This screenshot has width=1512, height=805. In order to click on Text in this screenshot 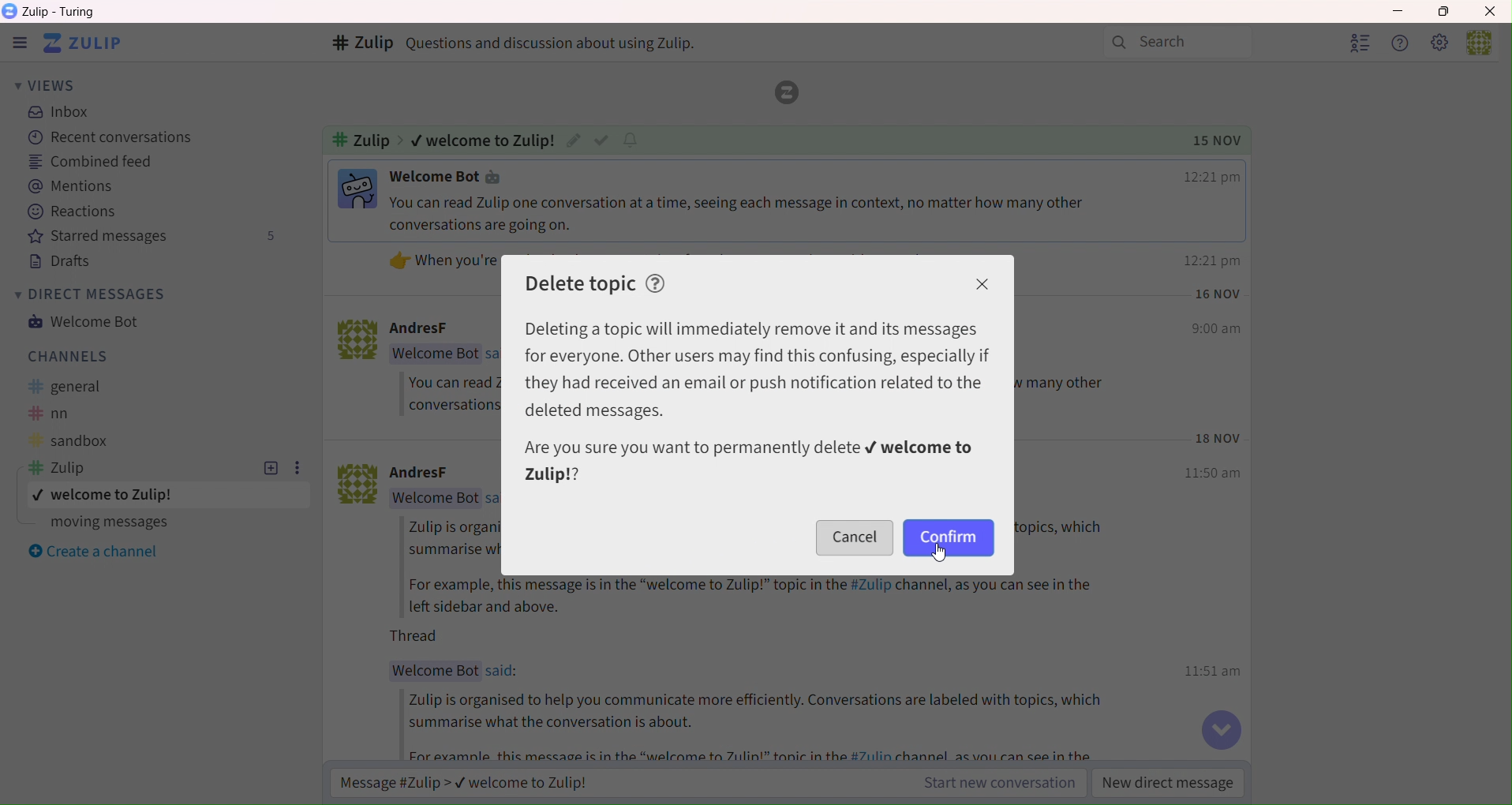, I will do `click(762, 597)`.